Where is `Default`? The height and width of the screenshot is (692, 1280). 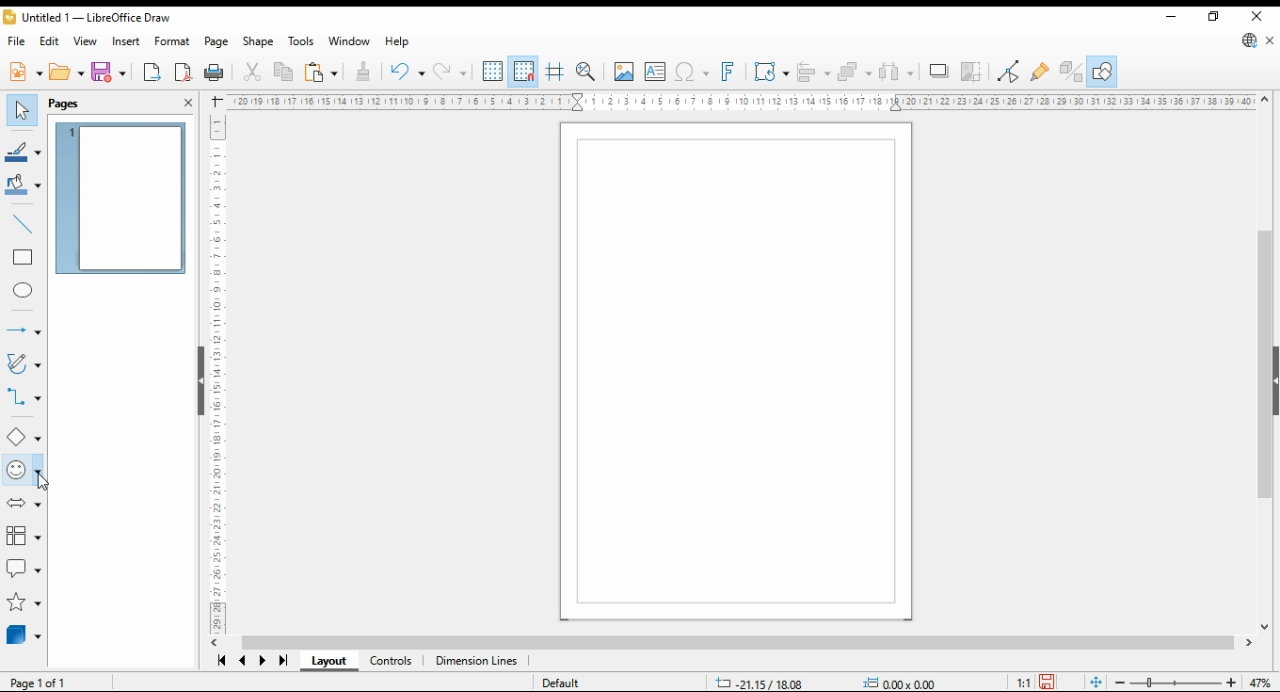 Default is located at coordinates (563, 678).